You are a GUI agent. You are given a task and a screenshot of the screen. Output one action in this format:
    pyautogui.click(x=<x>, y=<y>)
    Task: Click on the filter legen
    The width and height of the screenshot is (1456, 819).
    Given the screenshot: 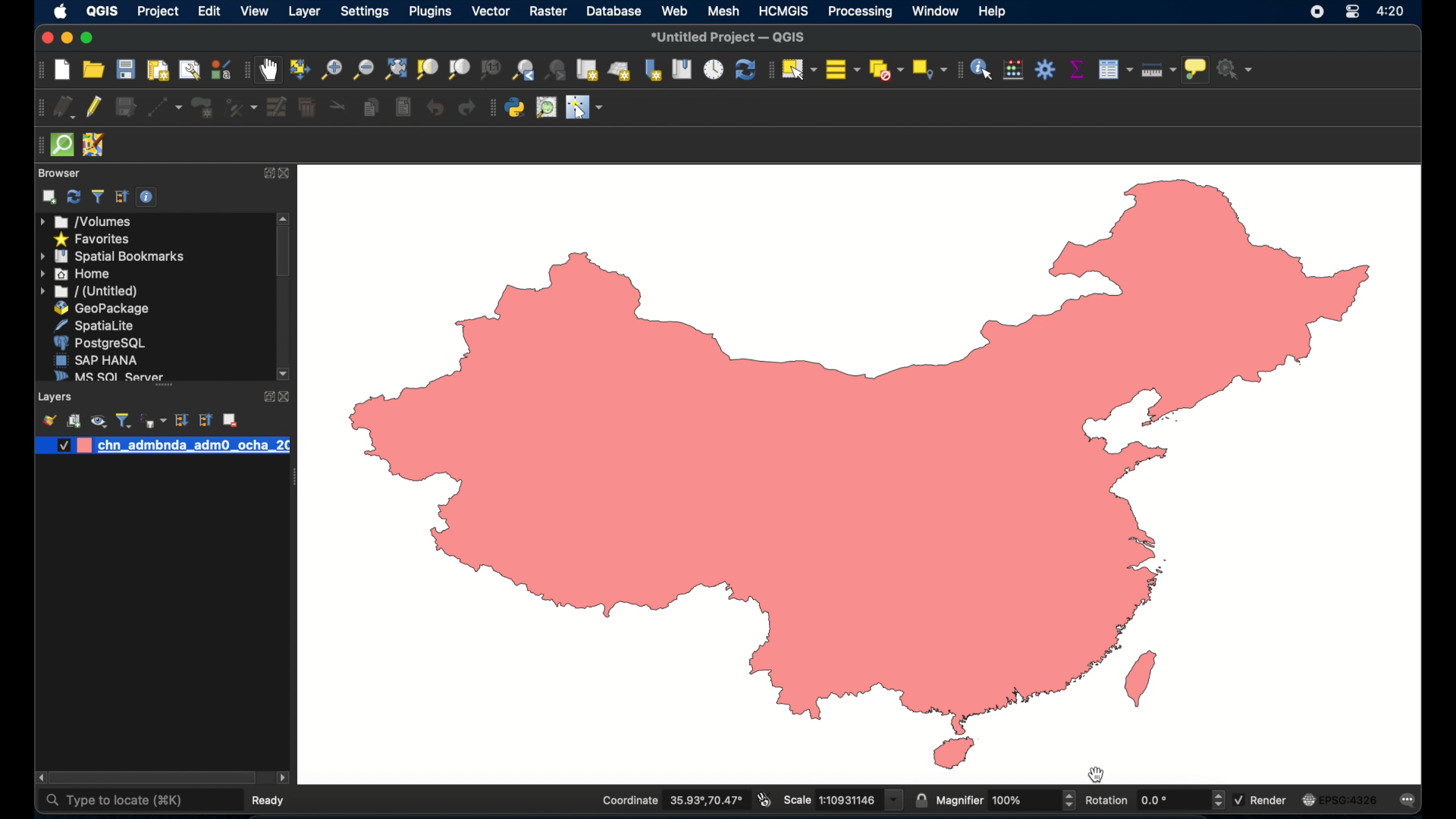 What is the action you would take?
    pyautogui.click(x=124, y=420)
    